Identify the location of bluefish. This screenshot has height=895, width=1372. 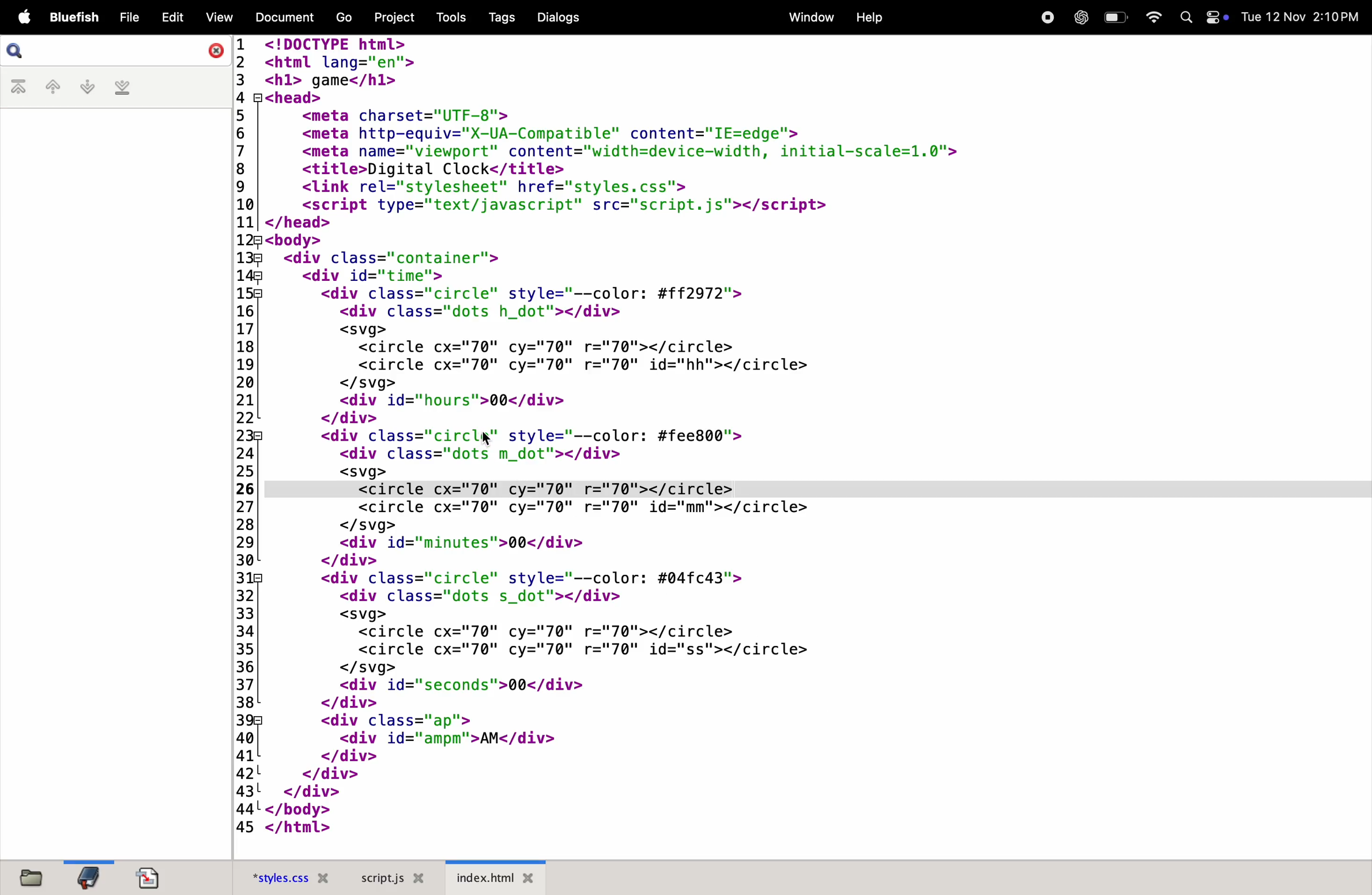
(74, 18).